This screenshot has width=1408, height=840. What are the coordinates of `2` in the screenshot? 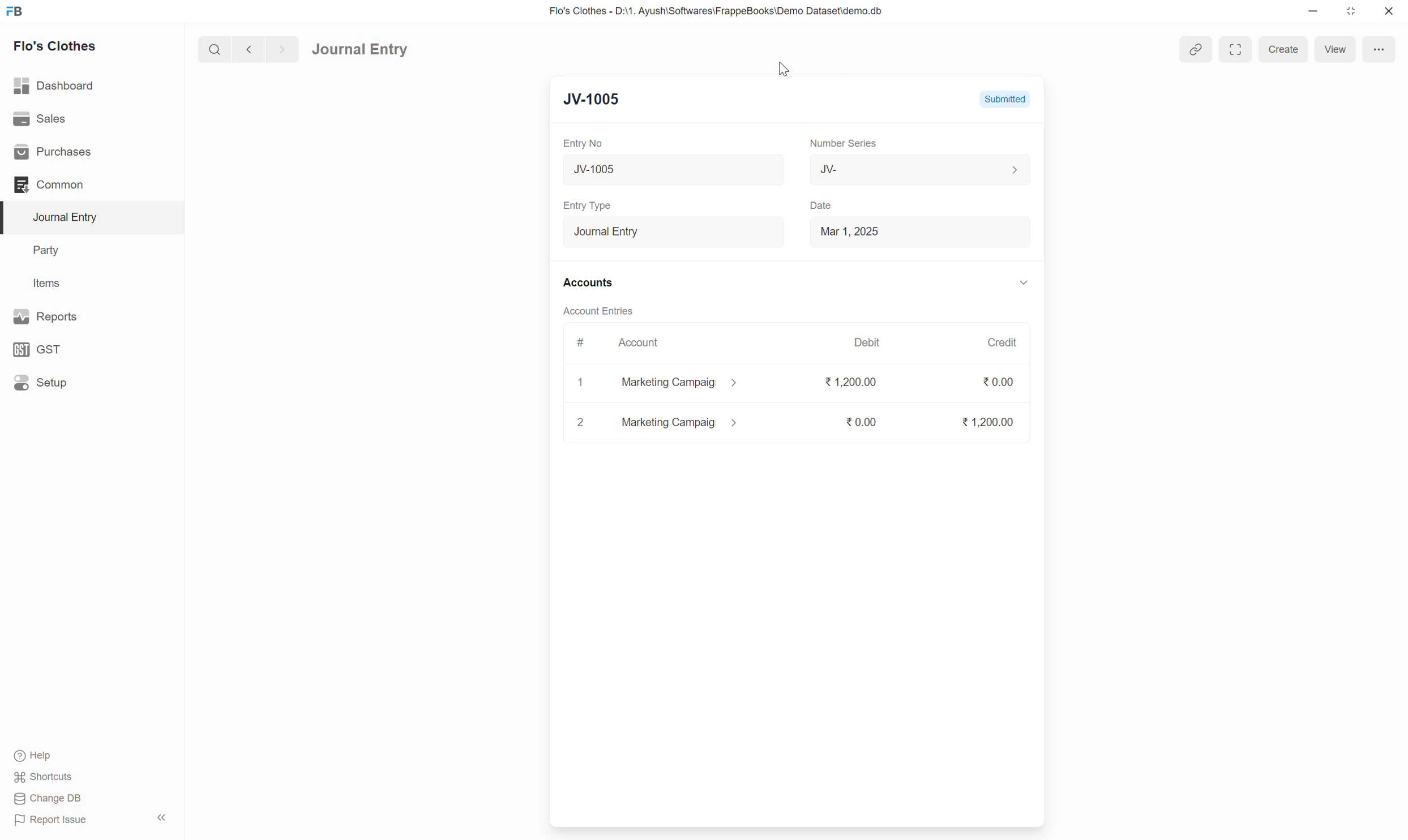 It's located at (579, 422).